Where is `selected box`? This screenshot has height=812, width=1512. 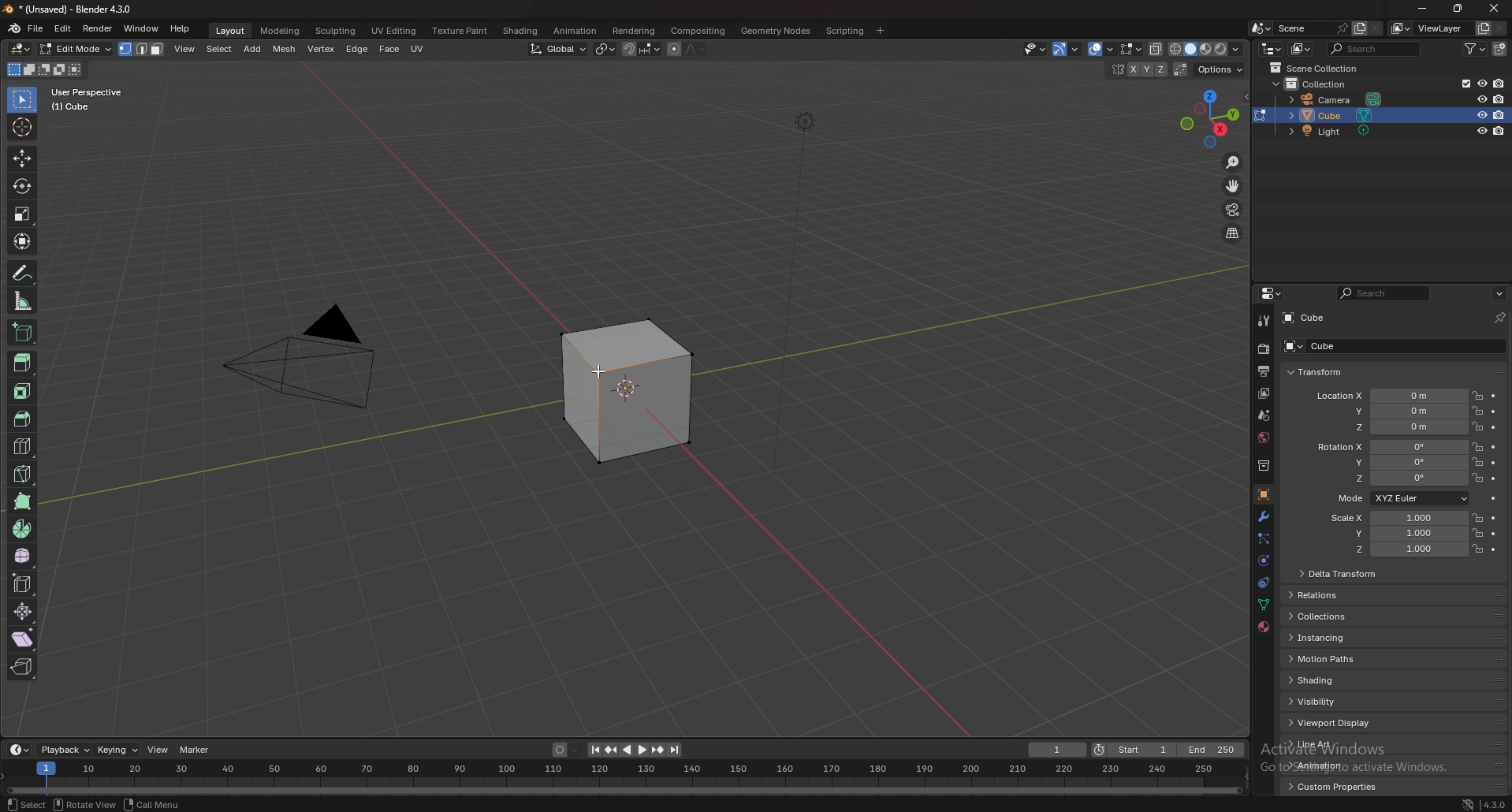
selected box is located at coordinates (628, 394).